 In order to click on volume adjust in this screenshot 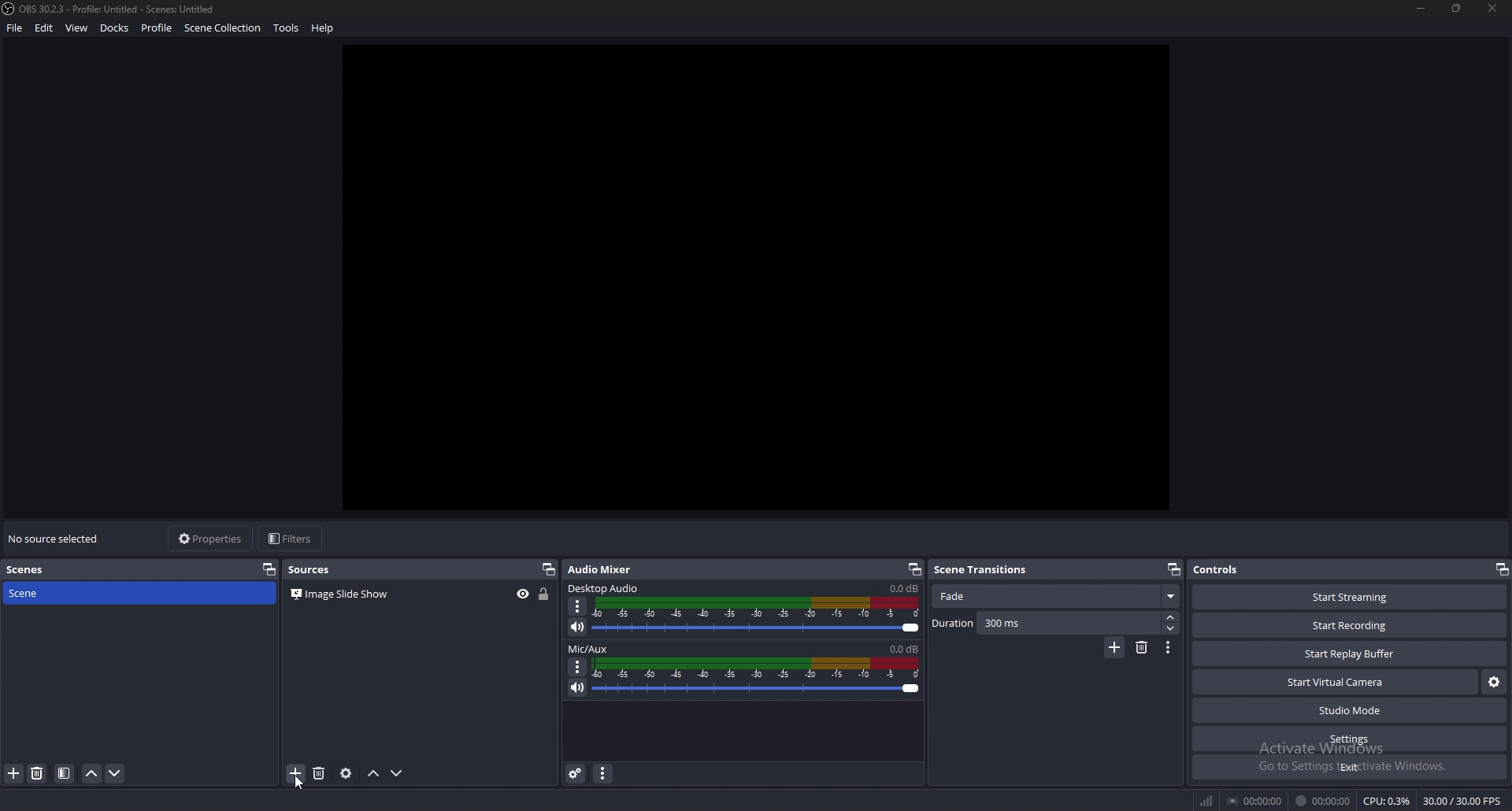, I will do `click(757, 615)`.